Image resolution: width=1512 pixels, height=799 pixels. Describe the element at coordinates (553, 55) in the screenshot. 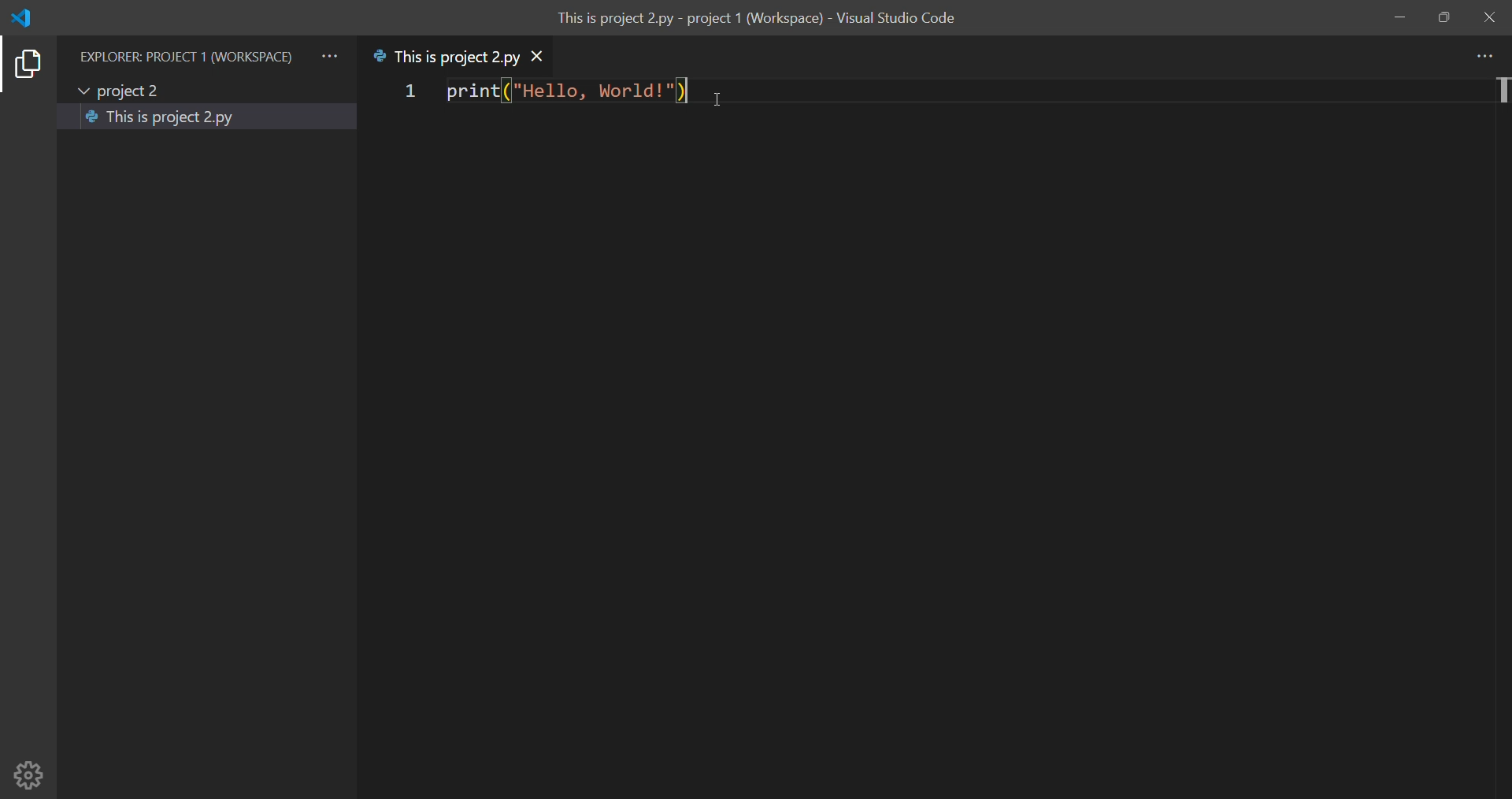

I see `close tab` at that location.